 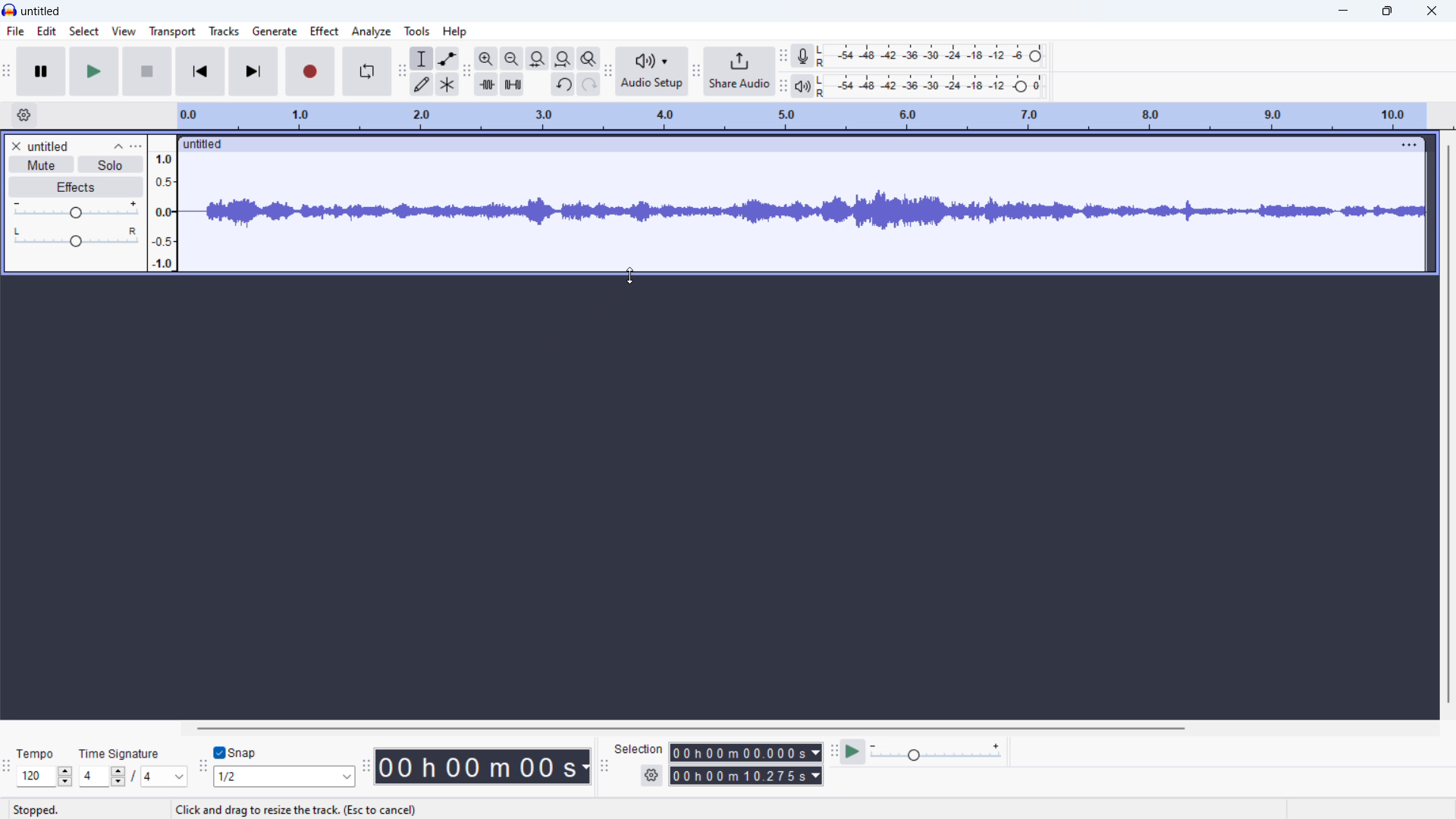 I want to click on pan, so click(x=77, y=237).